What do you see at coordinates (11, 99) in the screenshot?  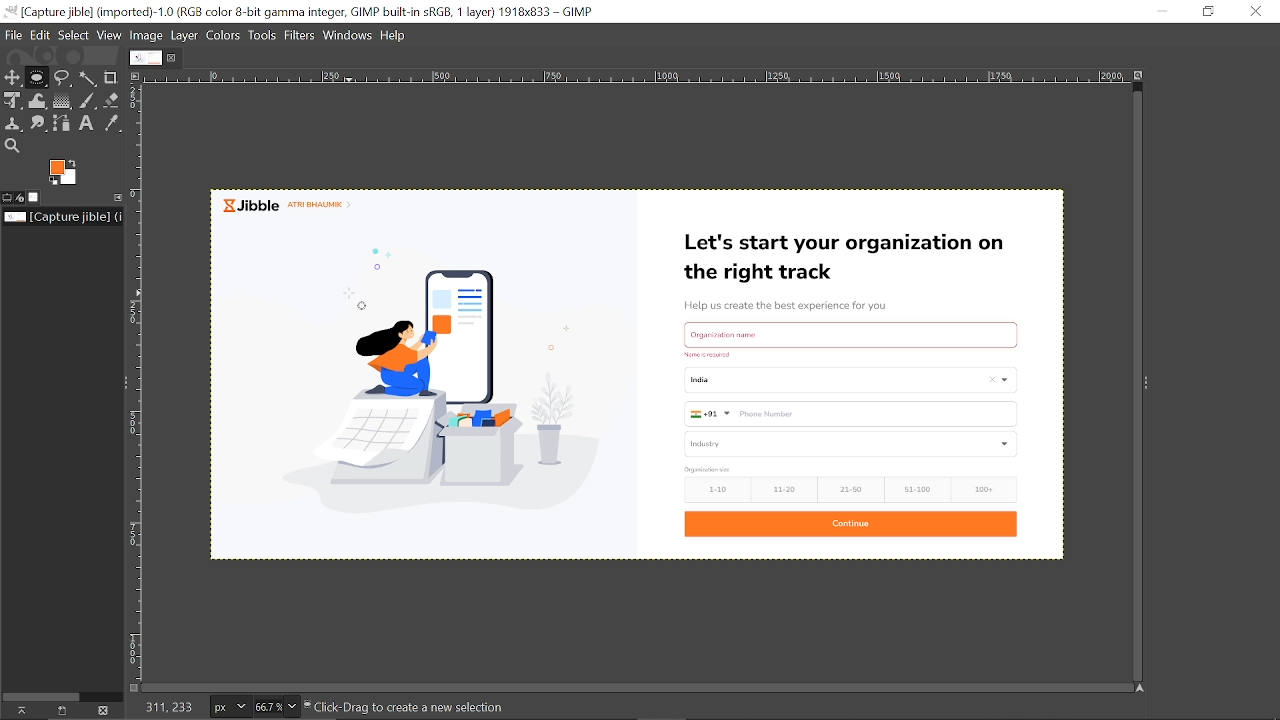 I see `Unified transform tool` at bounding box center [11, 99].